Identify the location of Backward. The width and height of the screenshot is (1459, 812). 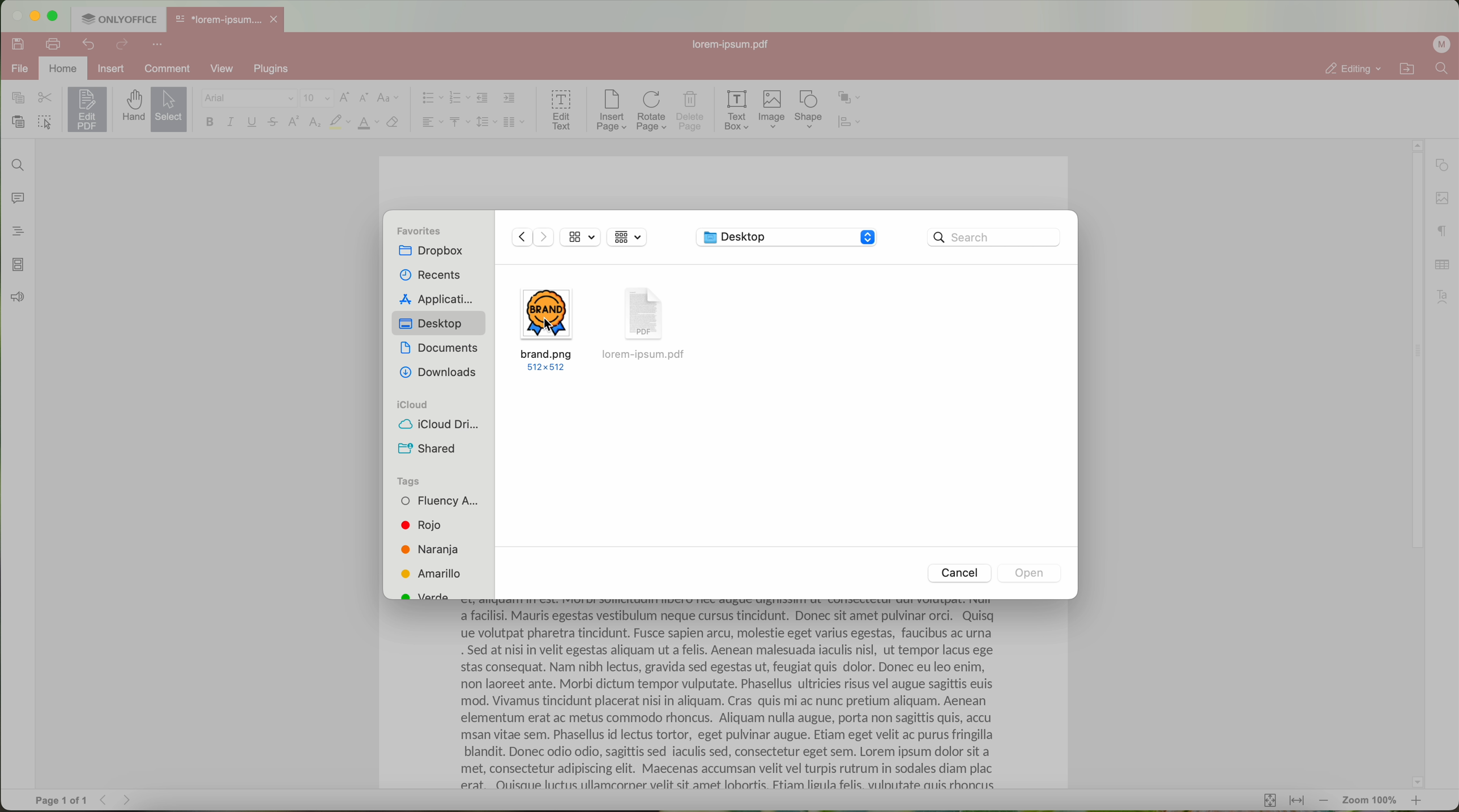
(107, 800).